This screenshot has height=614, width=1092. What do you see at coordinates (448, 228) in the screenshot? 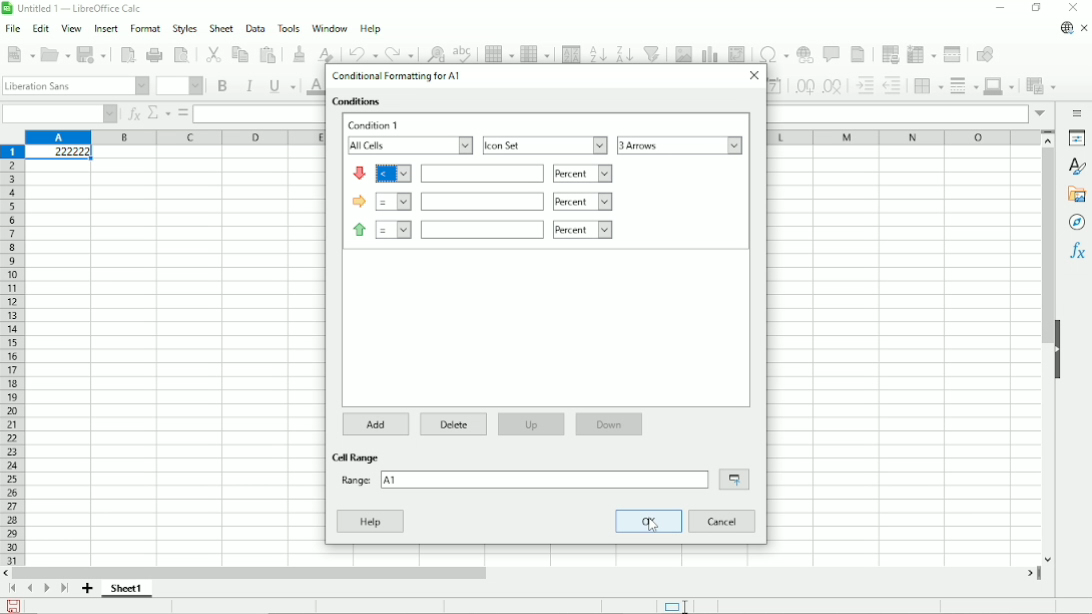
I see `icon condition` at bounding box center [448, 228].